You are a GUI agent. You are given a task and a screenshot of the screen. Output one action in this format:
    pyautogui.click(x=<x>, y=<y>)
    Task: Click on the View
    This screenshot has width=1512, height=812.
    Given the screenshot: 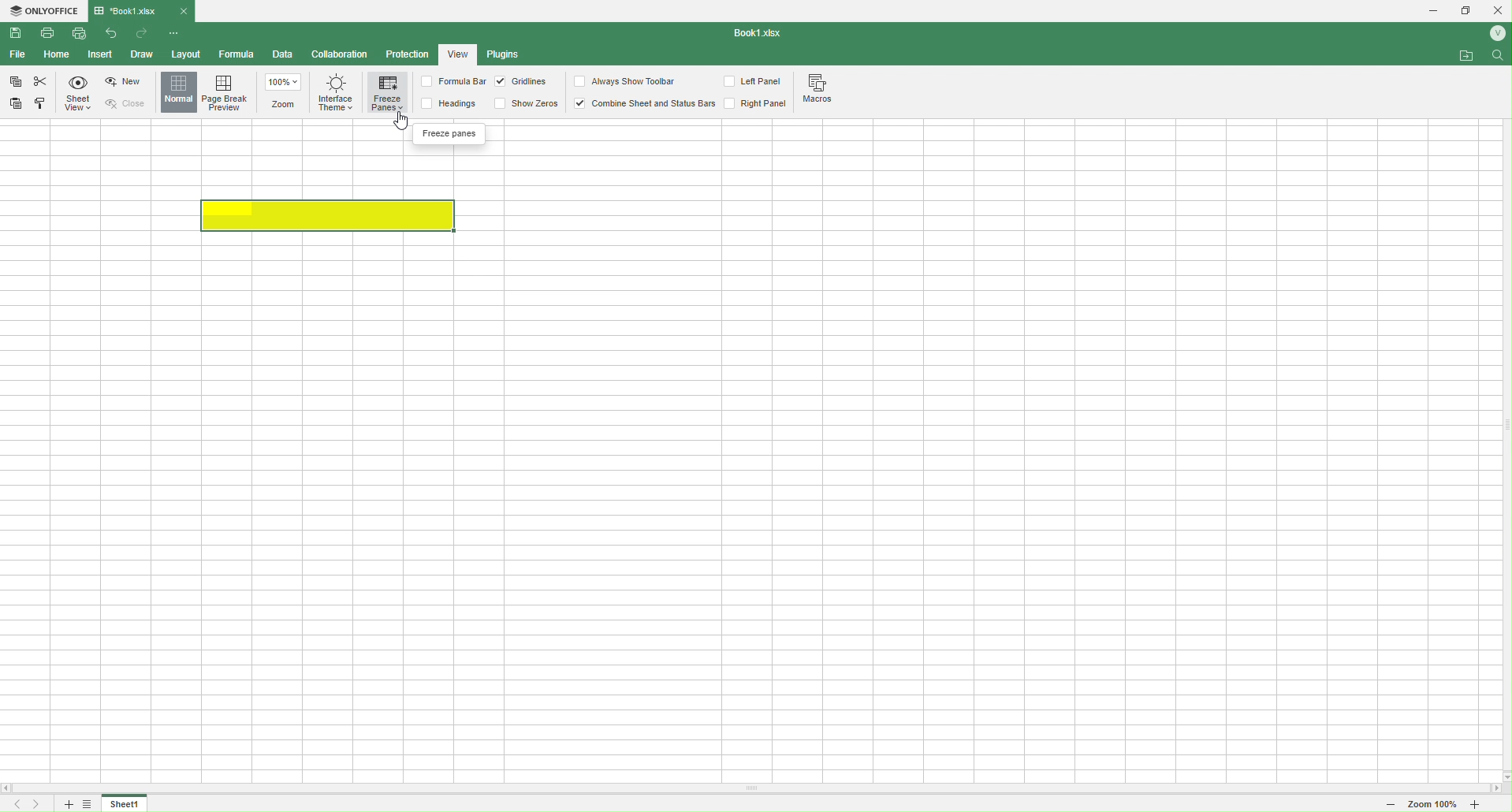 What is the action you would take?
    pyautogui.click(x=458, y=53)
    